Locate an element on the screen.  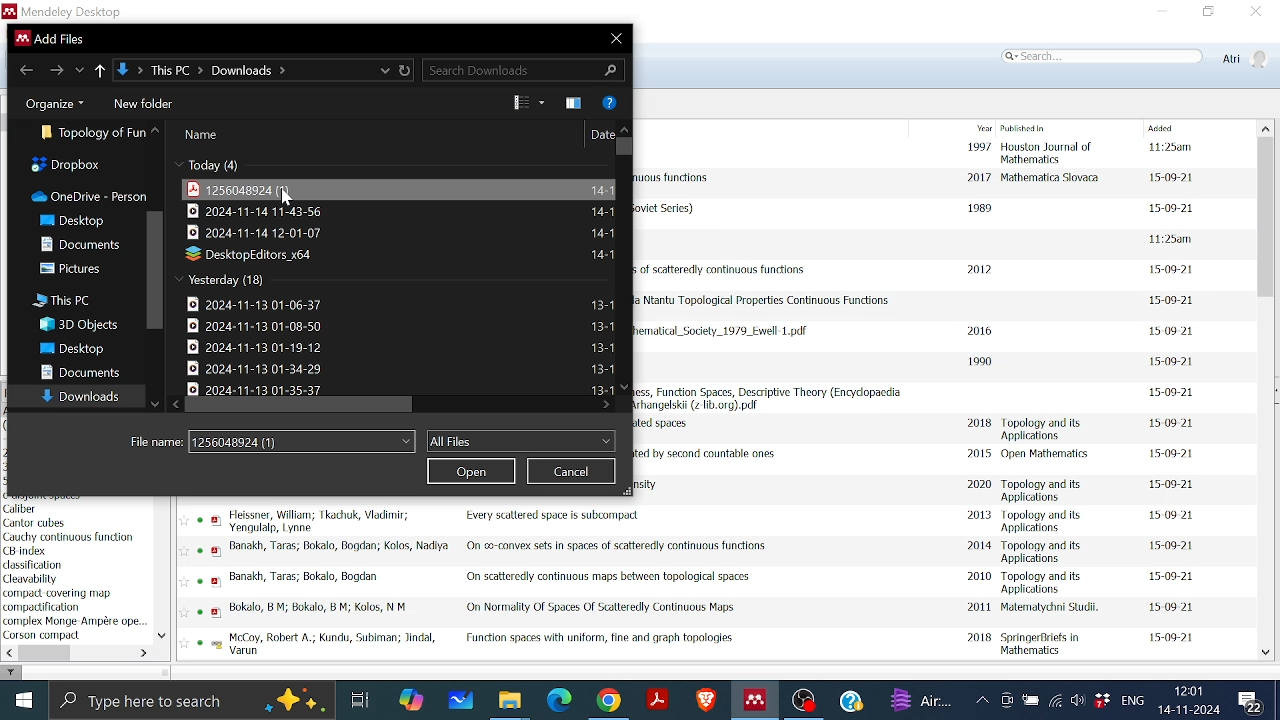
Close is located at coordinates (1259, 12).